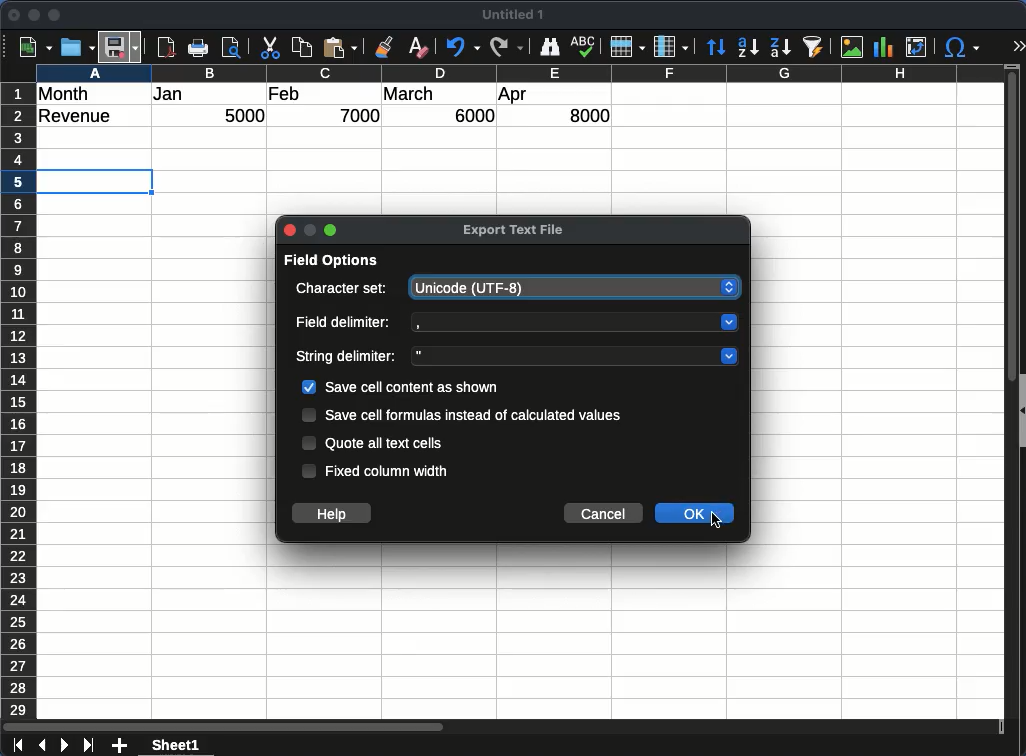  Describe the element at coordinates (550, 47) in the screenshot. I see `finder` at that location.